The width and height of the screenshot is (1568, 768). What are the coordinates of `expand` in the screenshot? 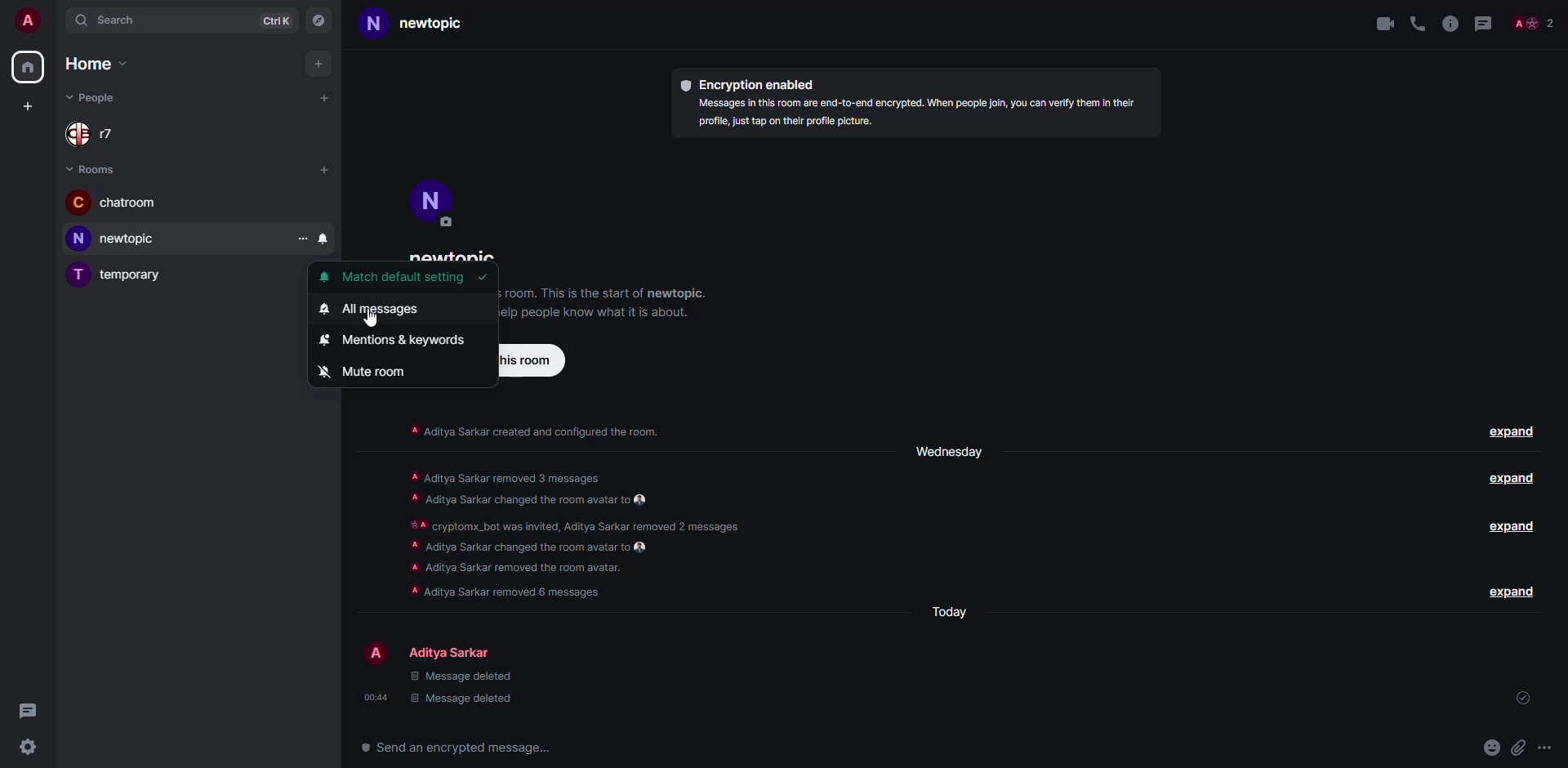 It's located at (1511, 431).